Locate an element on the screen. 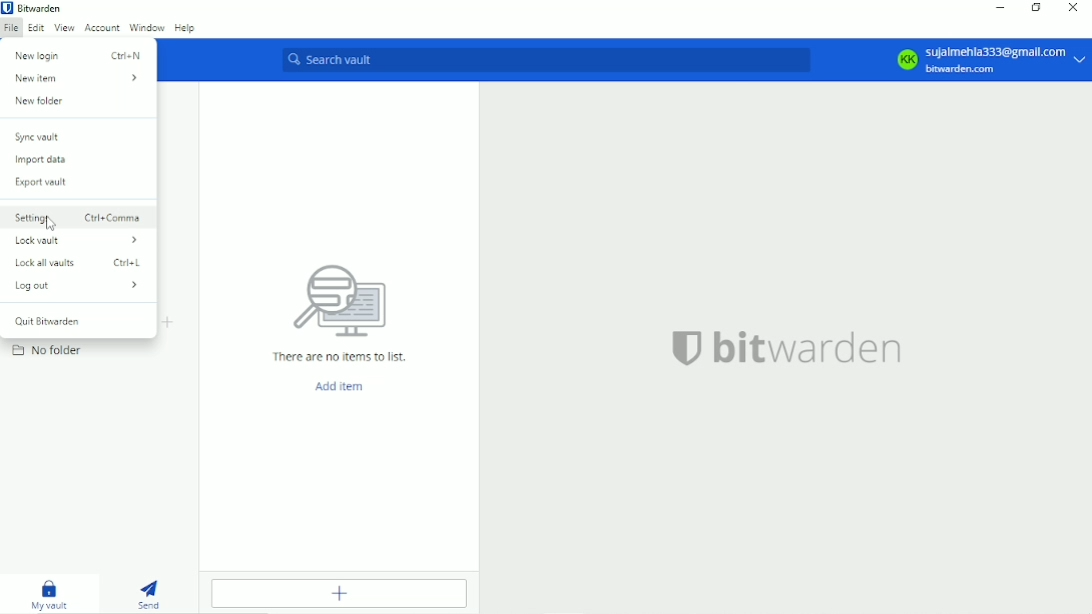 Image resolution: width=1092 pixels, height=614 pixels. New login Ctrl+N is located at coordinates (78, 54).